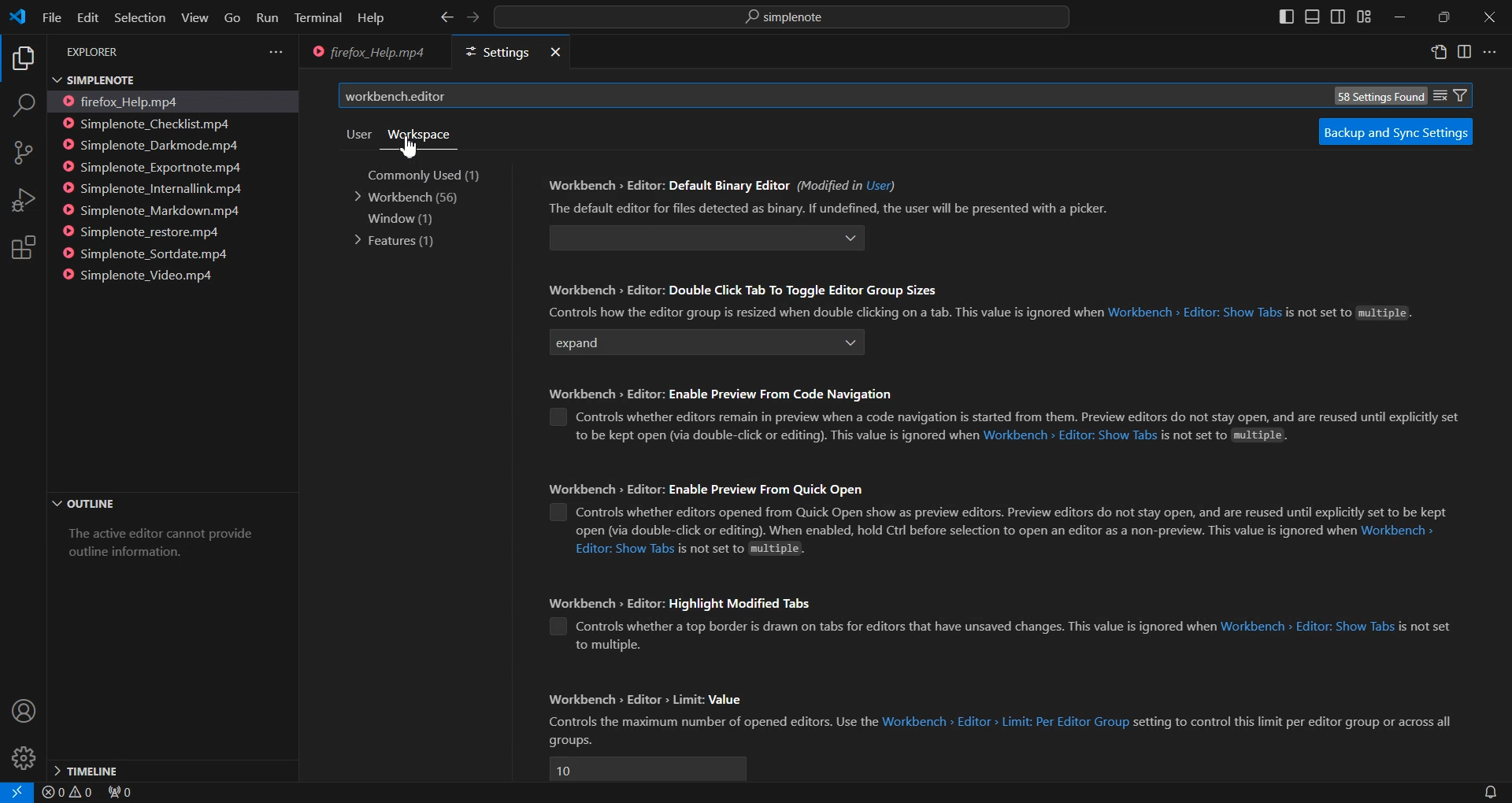 The height and width of the screenshot is (803, 1512). What do you see at coordinates (266, 19) in the screenshot?
I see `Run` at bounding box center [266, 19].